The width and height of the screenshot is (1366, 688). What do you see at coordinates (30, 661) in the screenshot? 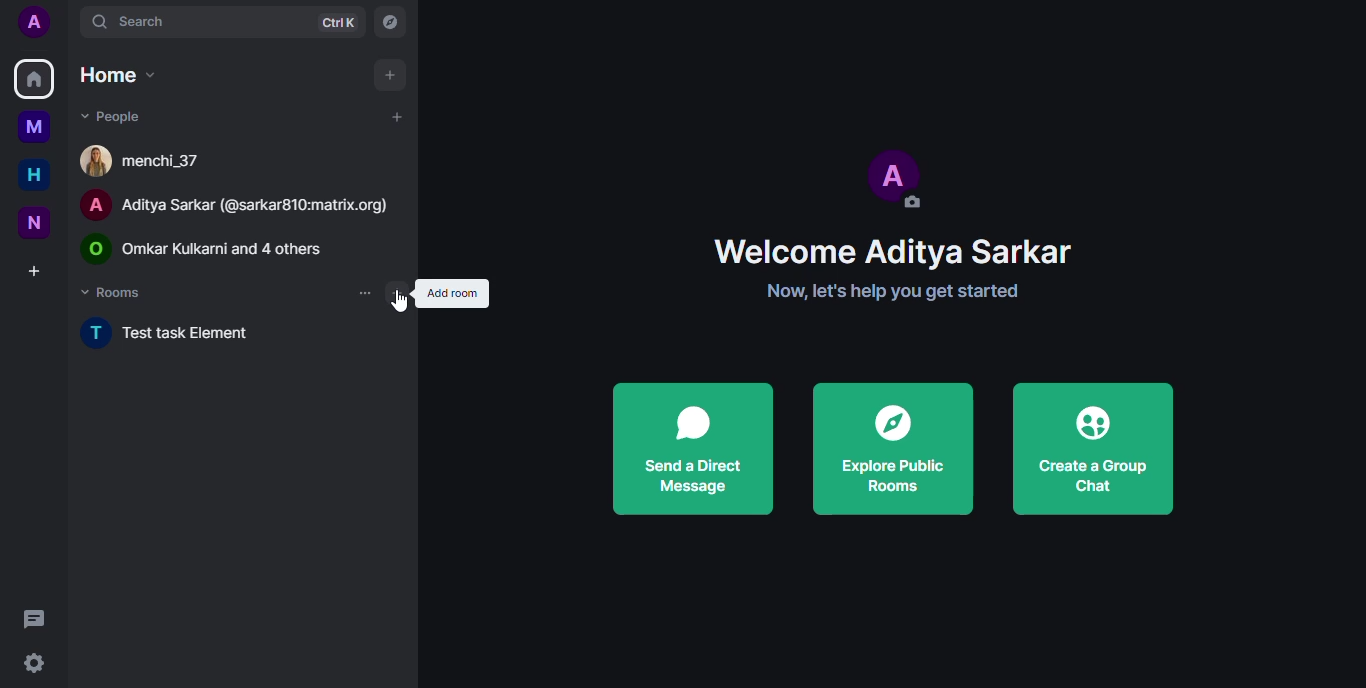
I see `quick settings` at bounding box center [30, 661].